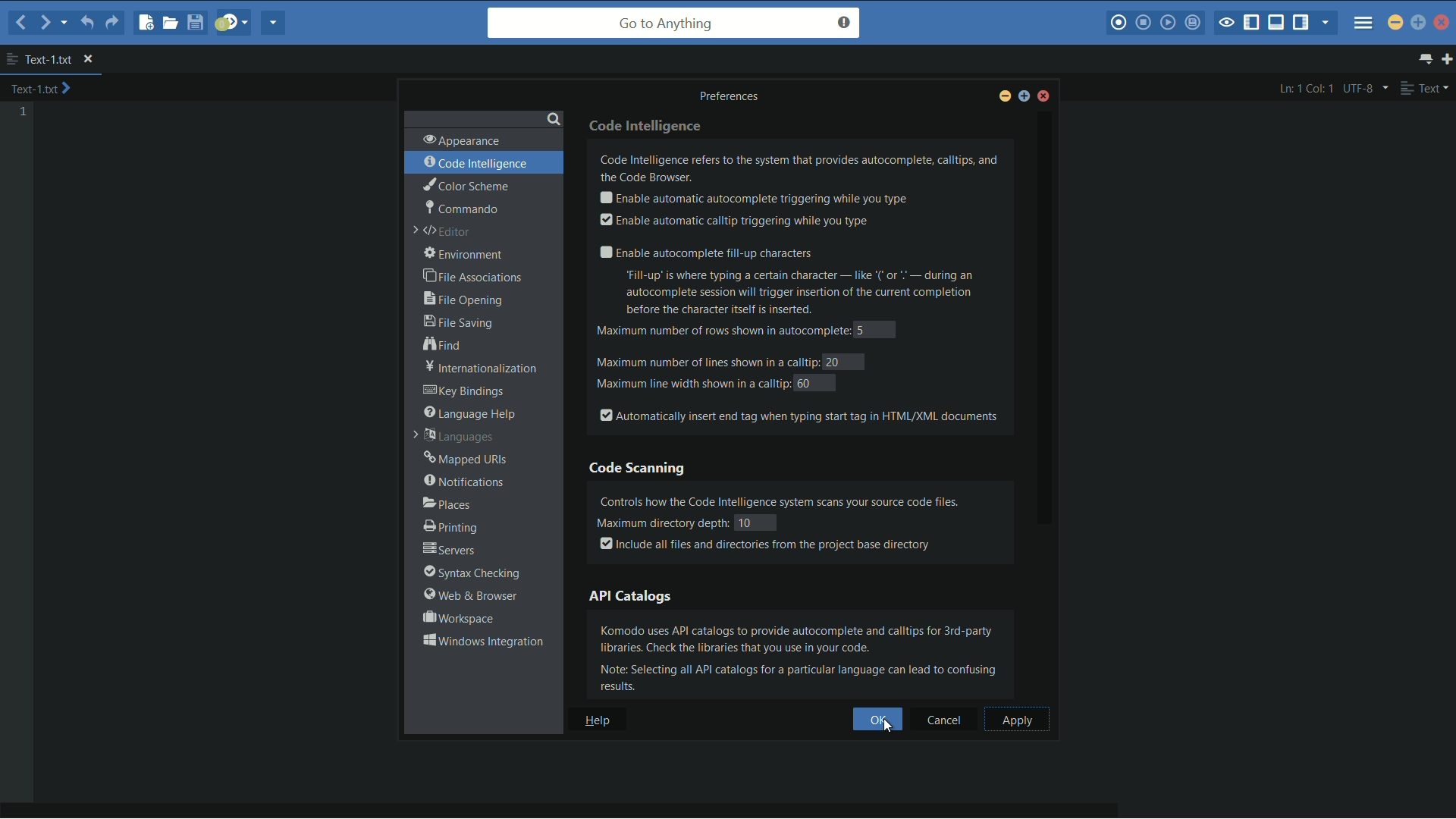 The width and height of the screenshot is (1456, 819). I want to click on window interactions, so click(482, 641).